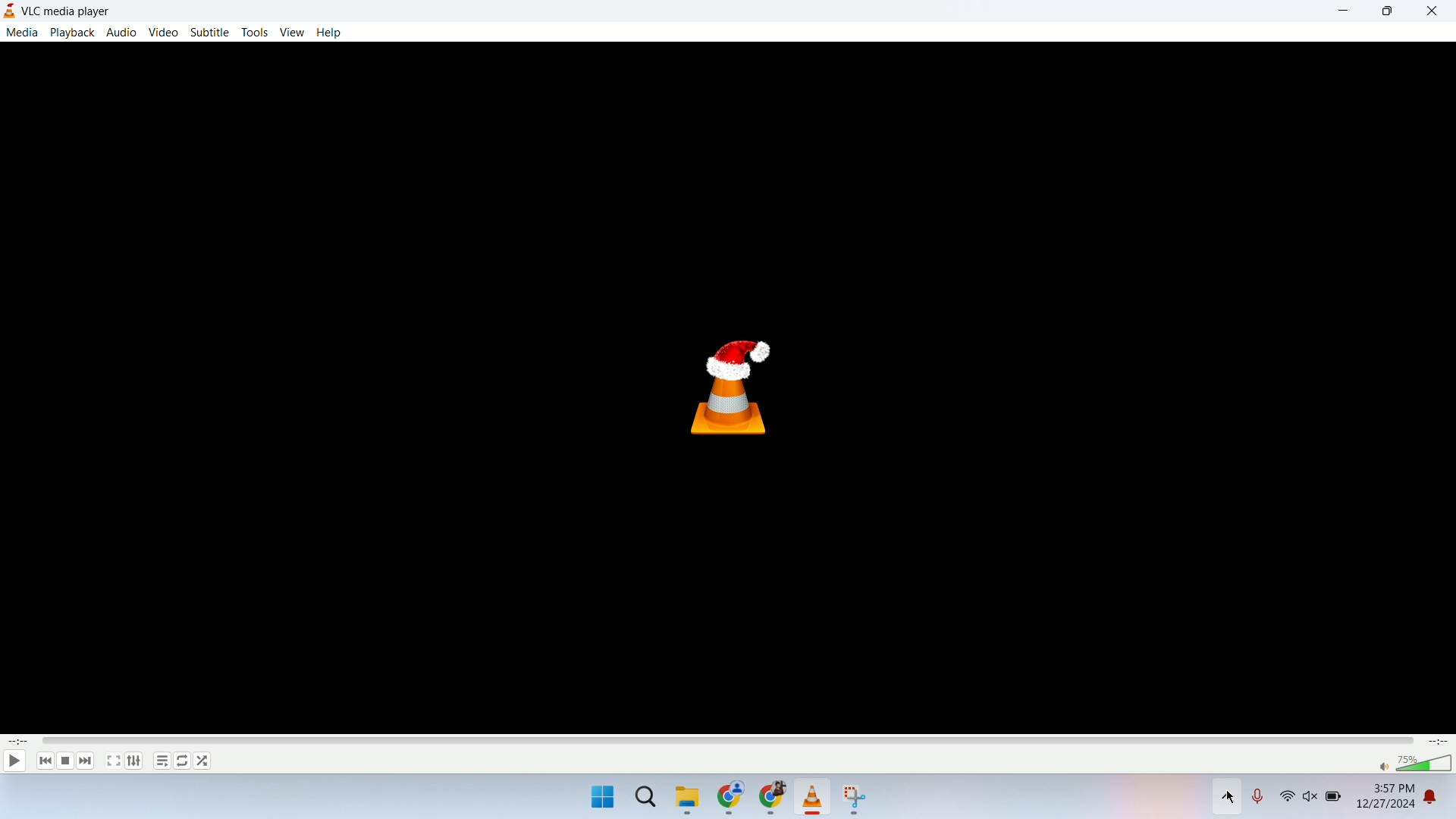 This screenshot has width=1456, height=819. What do you see at coordinates (328, 32) in the screenshot?
I see `help` at bounding box center [328, 32].